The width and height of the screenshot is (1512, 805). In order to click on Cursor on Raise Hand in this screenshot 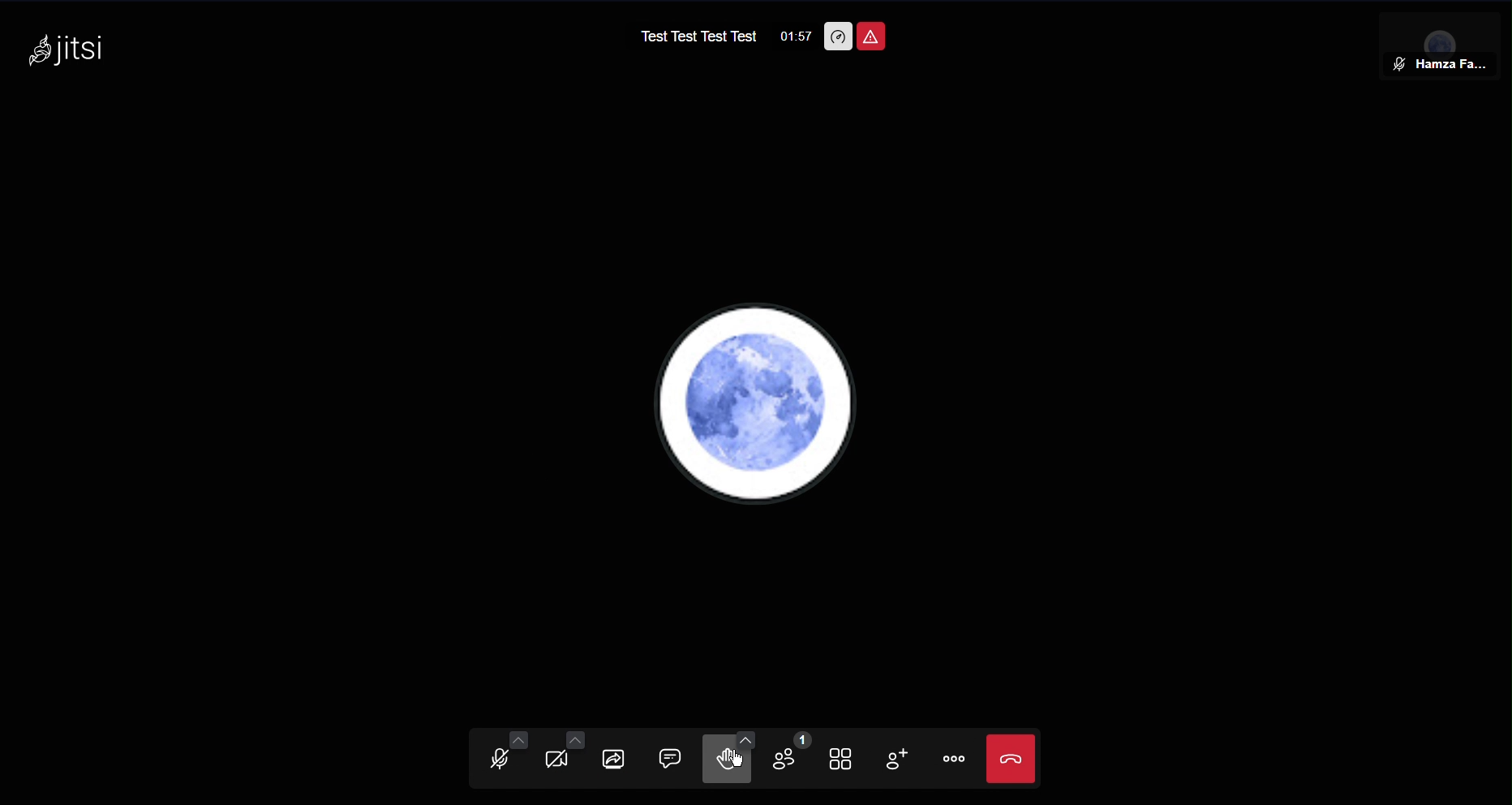, I will do `click(732, 758)`.